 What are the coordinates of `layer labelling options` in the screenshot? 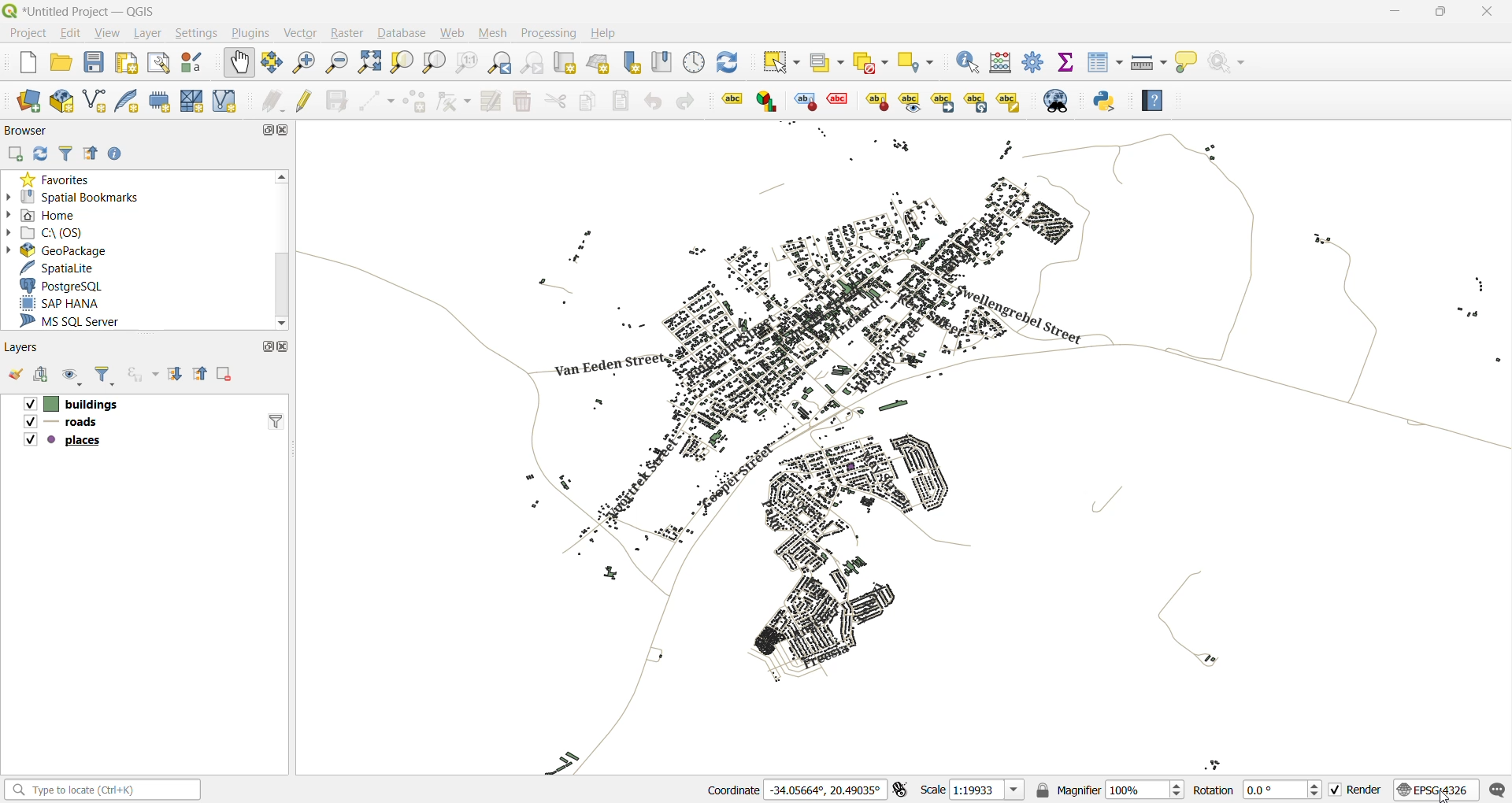 It's located at (732, 98).